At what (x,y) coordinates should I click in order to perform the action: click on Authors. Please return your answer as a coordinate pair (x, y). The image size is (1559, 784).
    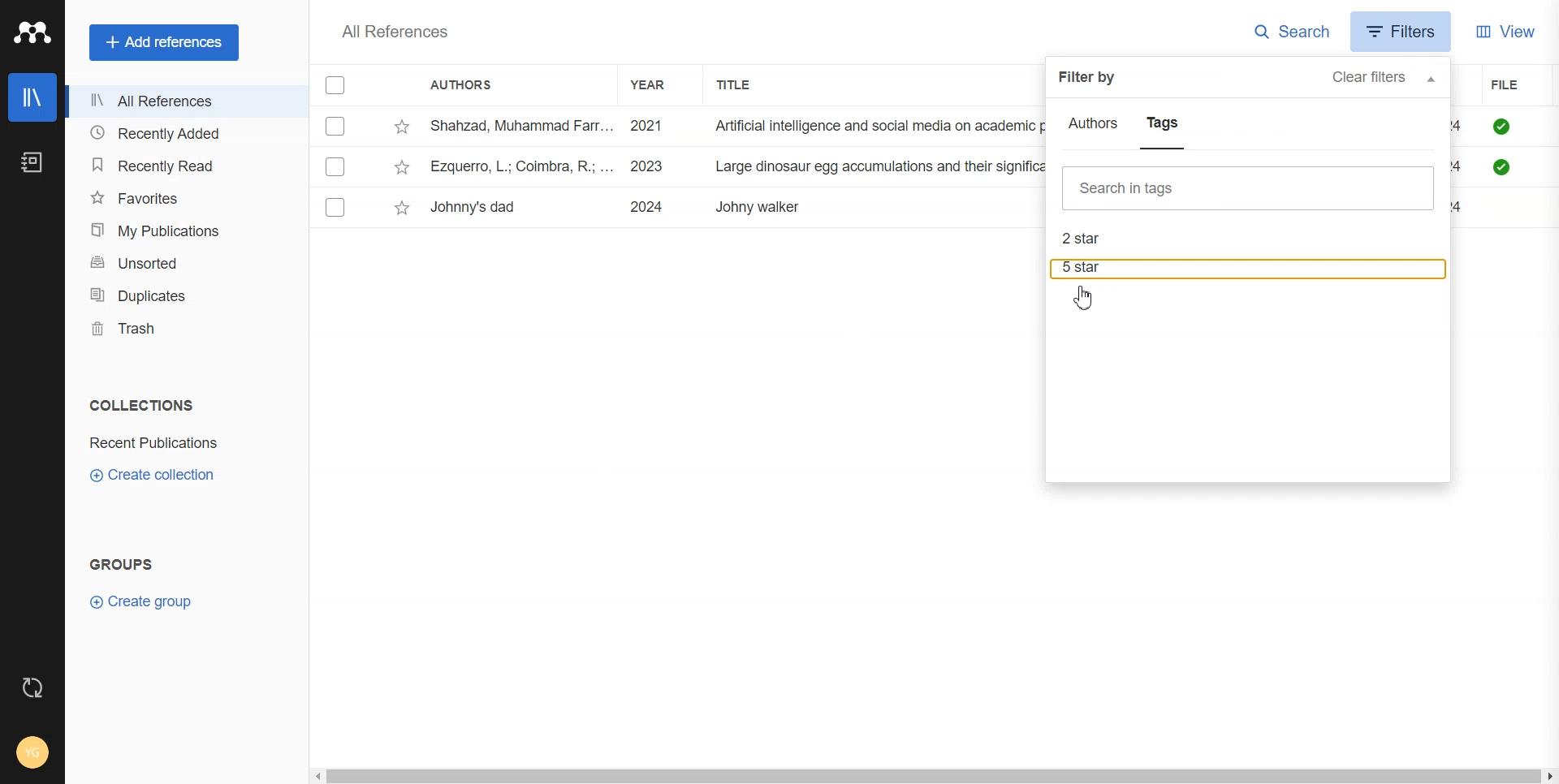
    Looking at the image, I should click on (469, 86).